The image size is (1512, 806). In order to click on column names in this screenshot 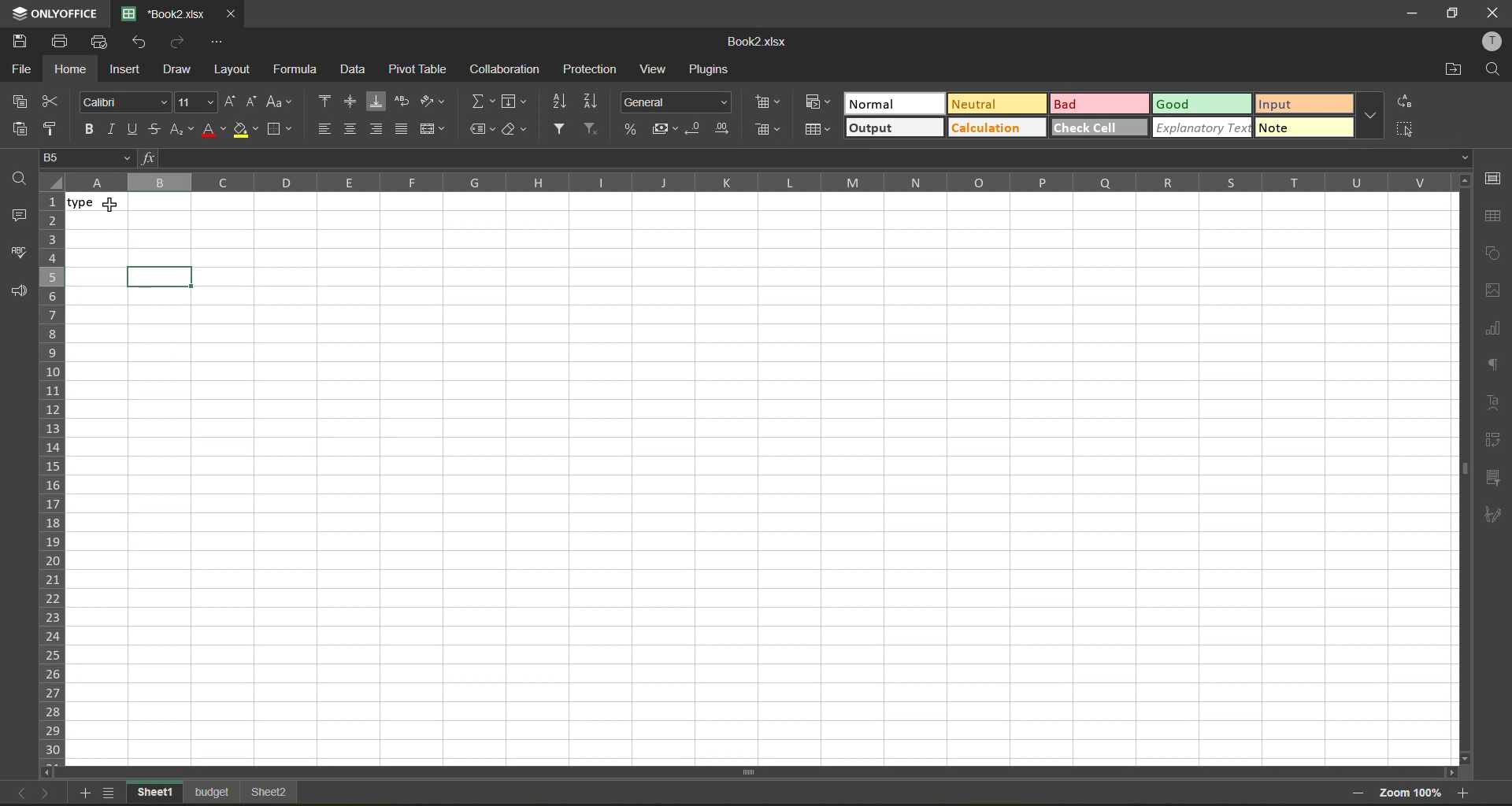, I will do `click(759, 182)`.